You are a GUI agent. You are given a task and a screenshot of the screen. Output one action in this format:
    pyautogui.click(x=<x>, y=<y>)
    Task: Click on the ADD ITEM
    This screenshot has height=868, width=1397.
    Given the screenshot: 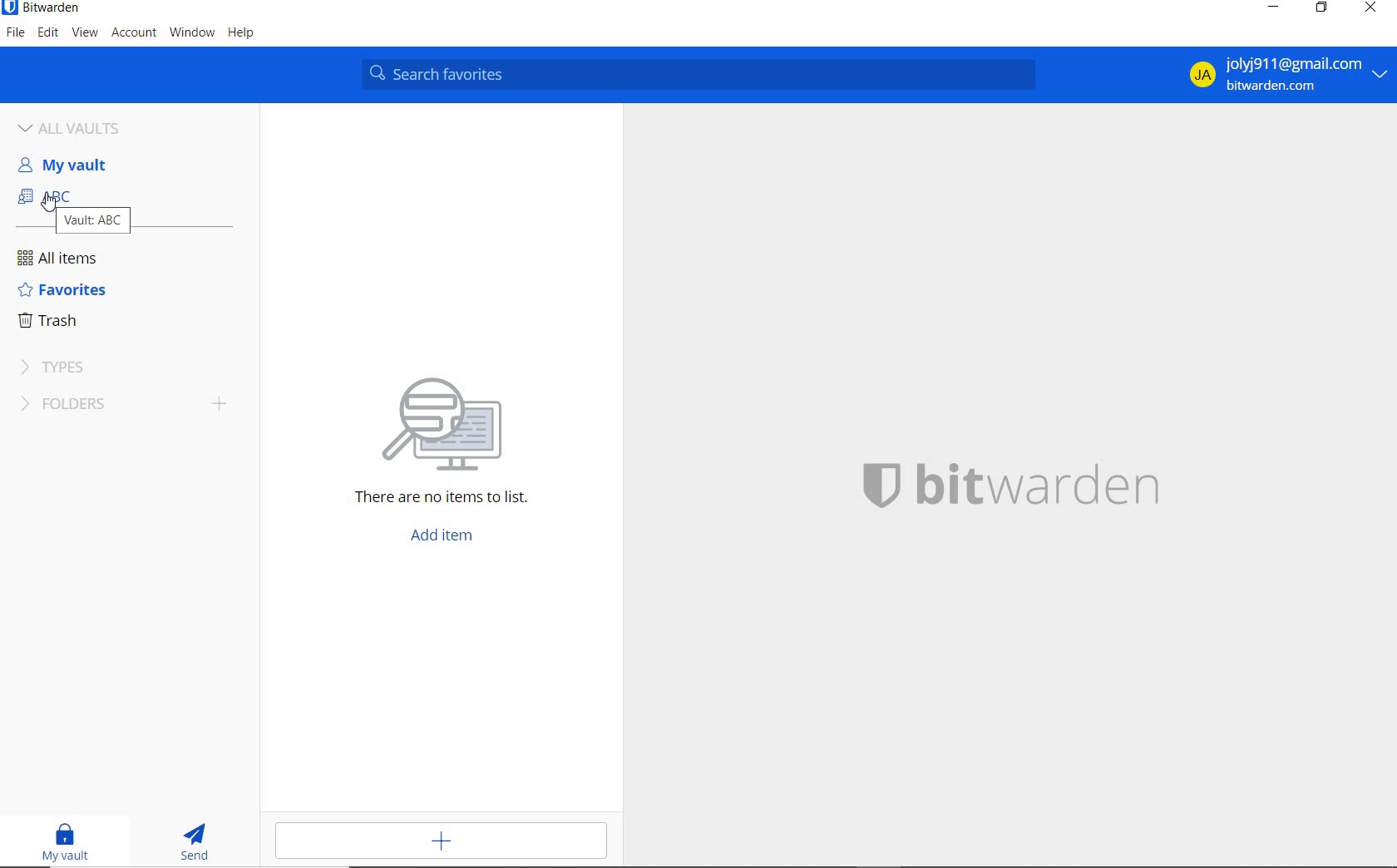 What is the action you would take?
    pyautogui.click(x=446, y=841)
    